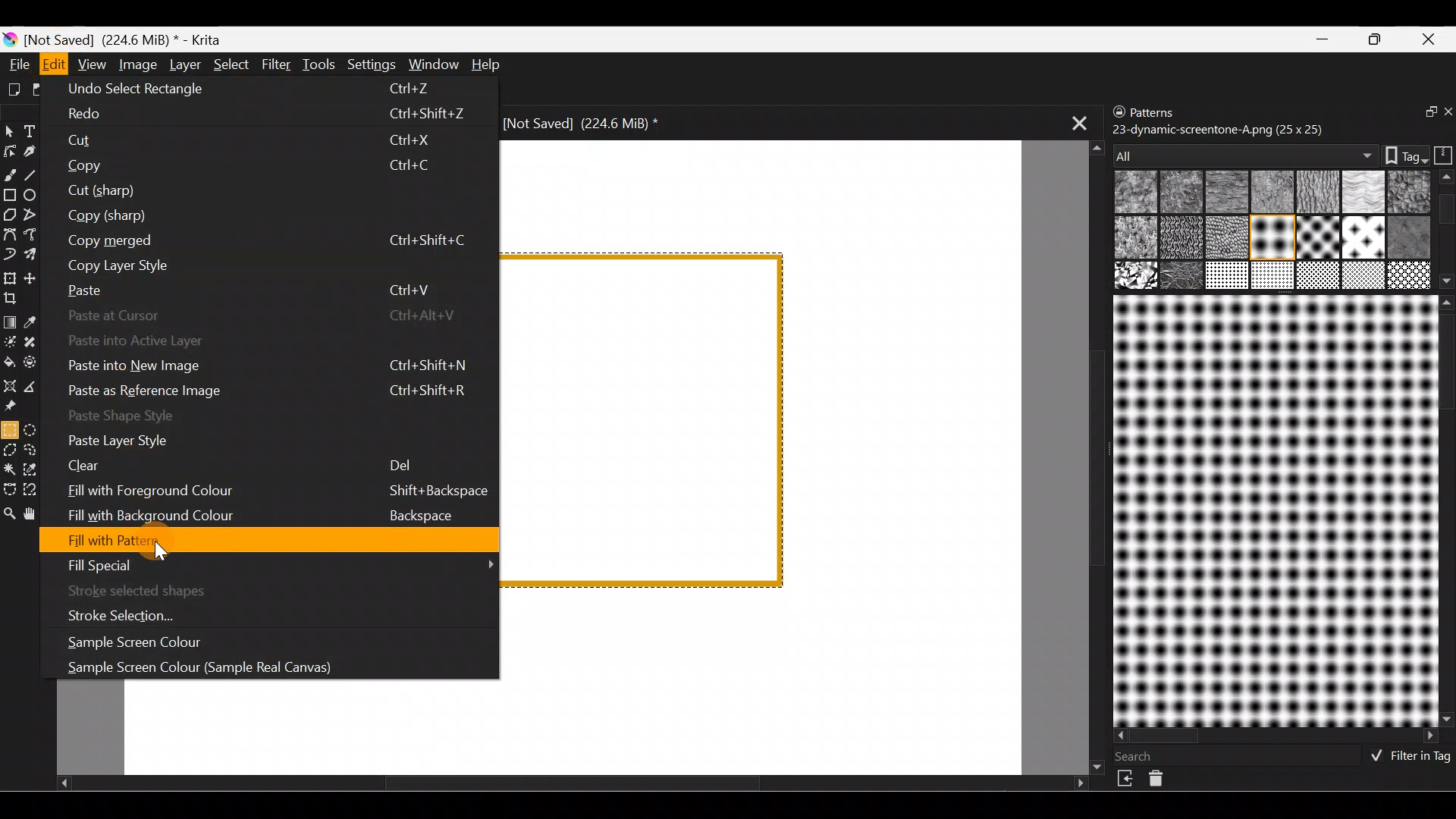 This screenshot has width=1456, height=819. I want to click on Search, so click(1143, 756).